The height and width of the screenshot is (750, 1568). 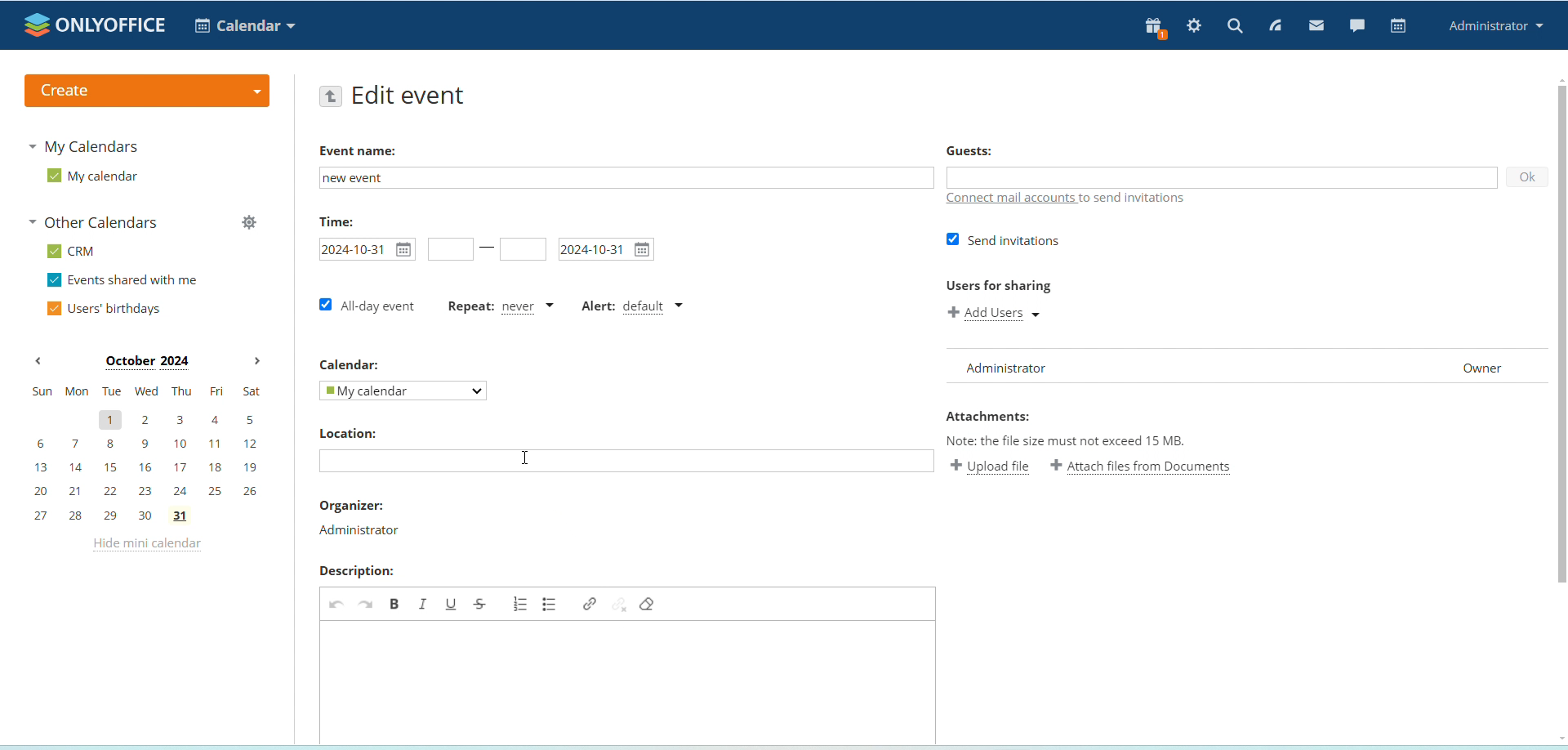 What do you see at coordinates (365, 249) in the screenshot?
I see `event start time` at bounding box center [365, 249].